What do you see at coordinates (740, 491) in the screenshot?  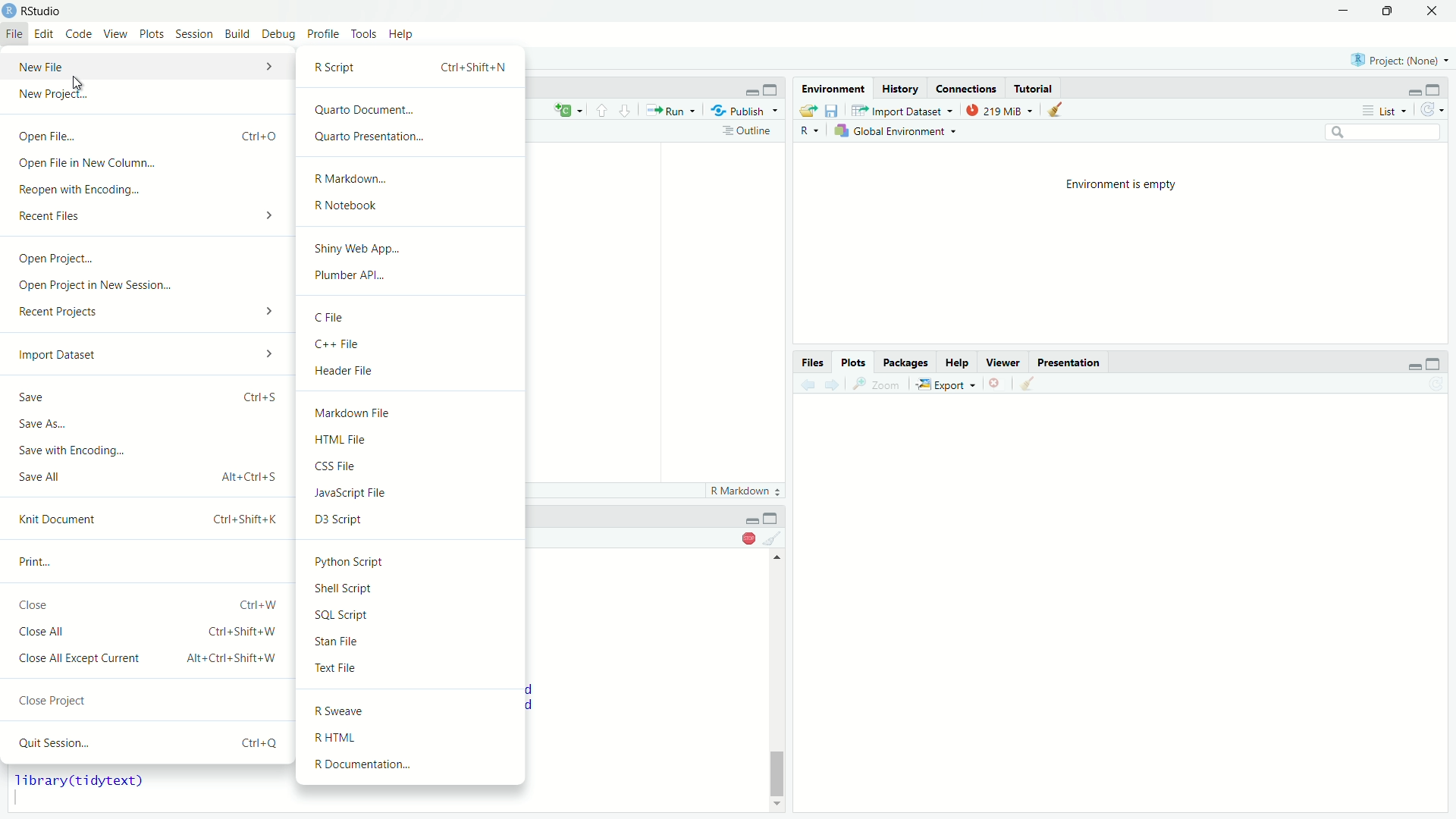 I see `markdown` at bounding box center [740, 491].